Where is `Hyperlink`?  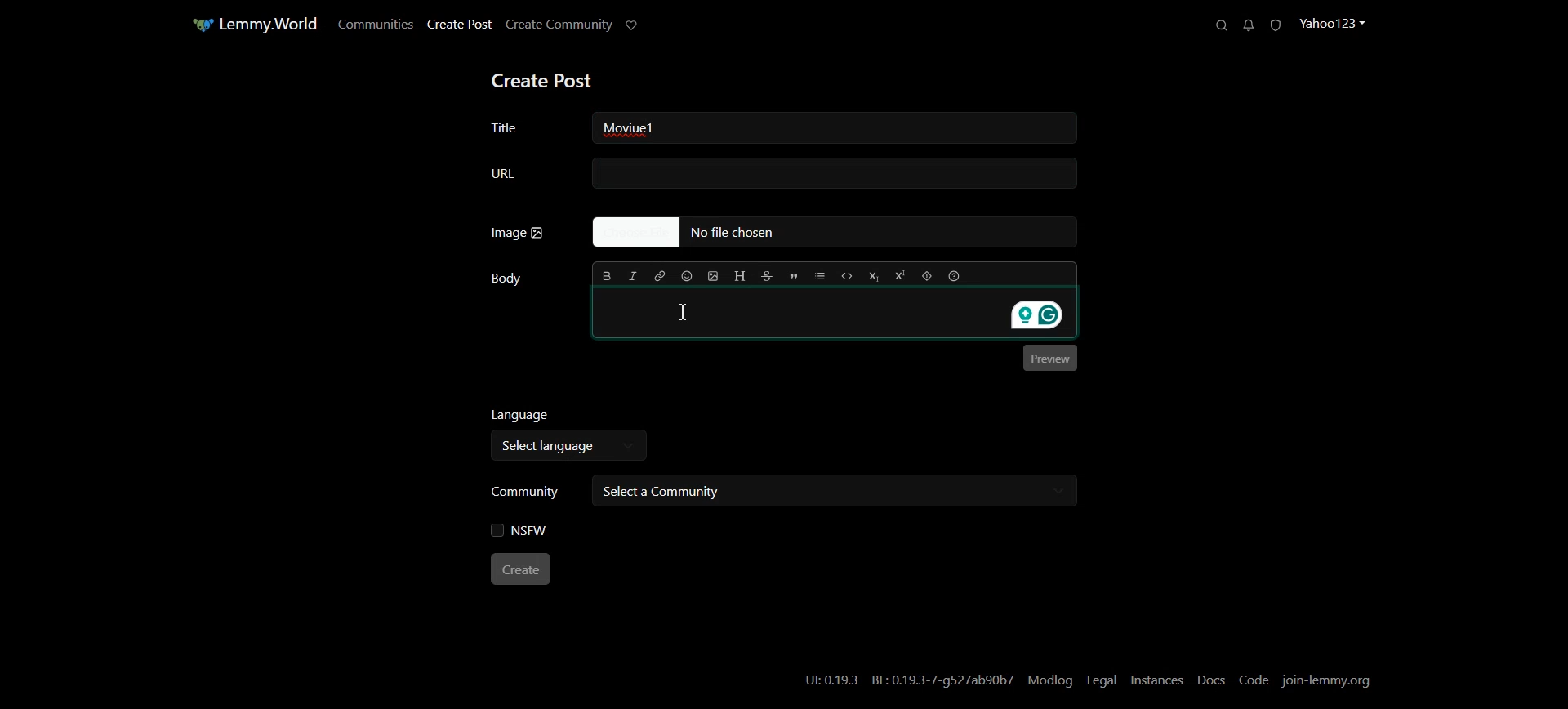 Hyperlink is located at coordinates (661, 276).